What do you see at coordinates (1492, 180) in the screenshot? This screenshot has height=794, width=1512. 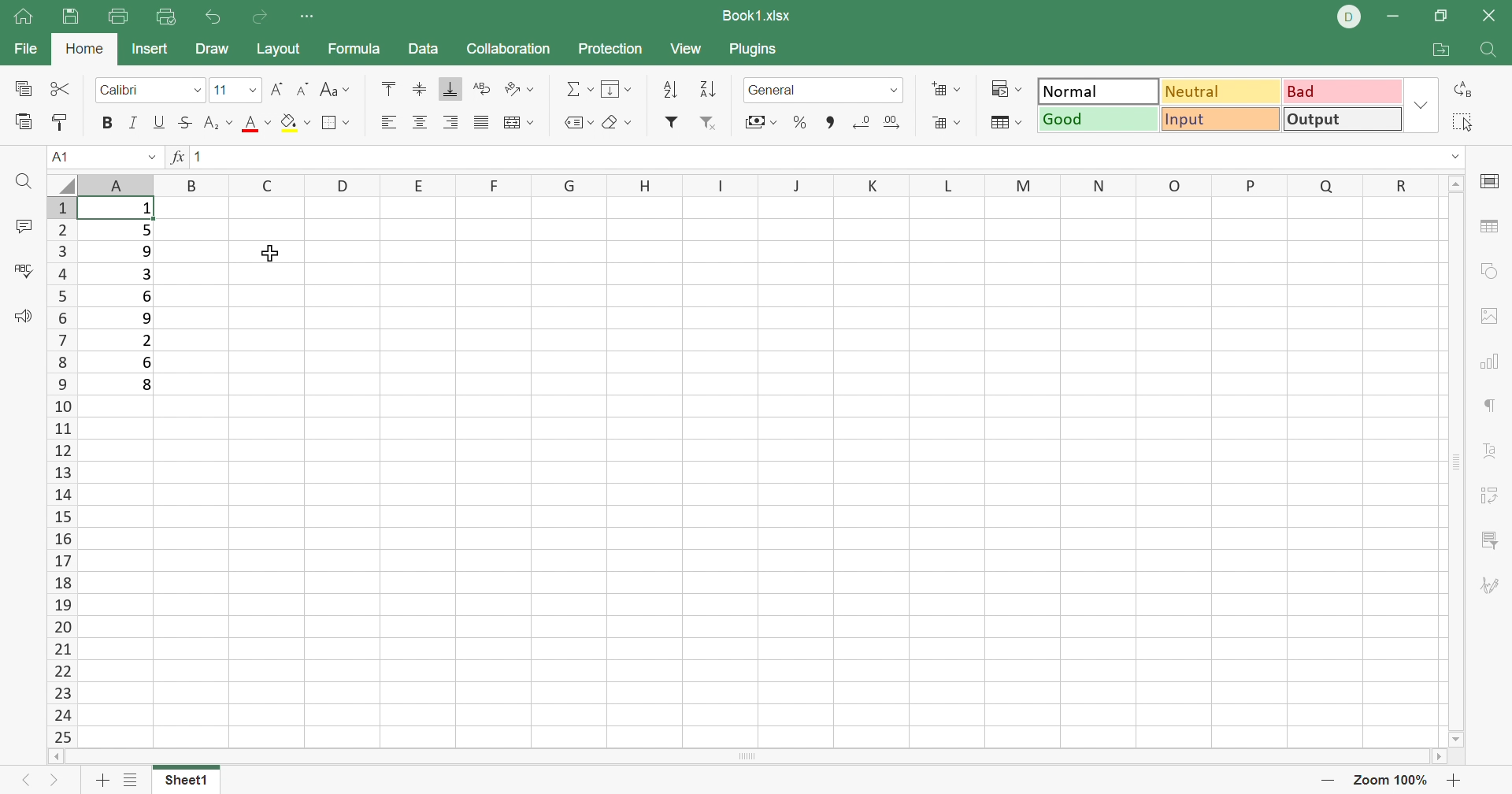 I see `Slide settings` at bounding box center [1492, 180].